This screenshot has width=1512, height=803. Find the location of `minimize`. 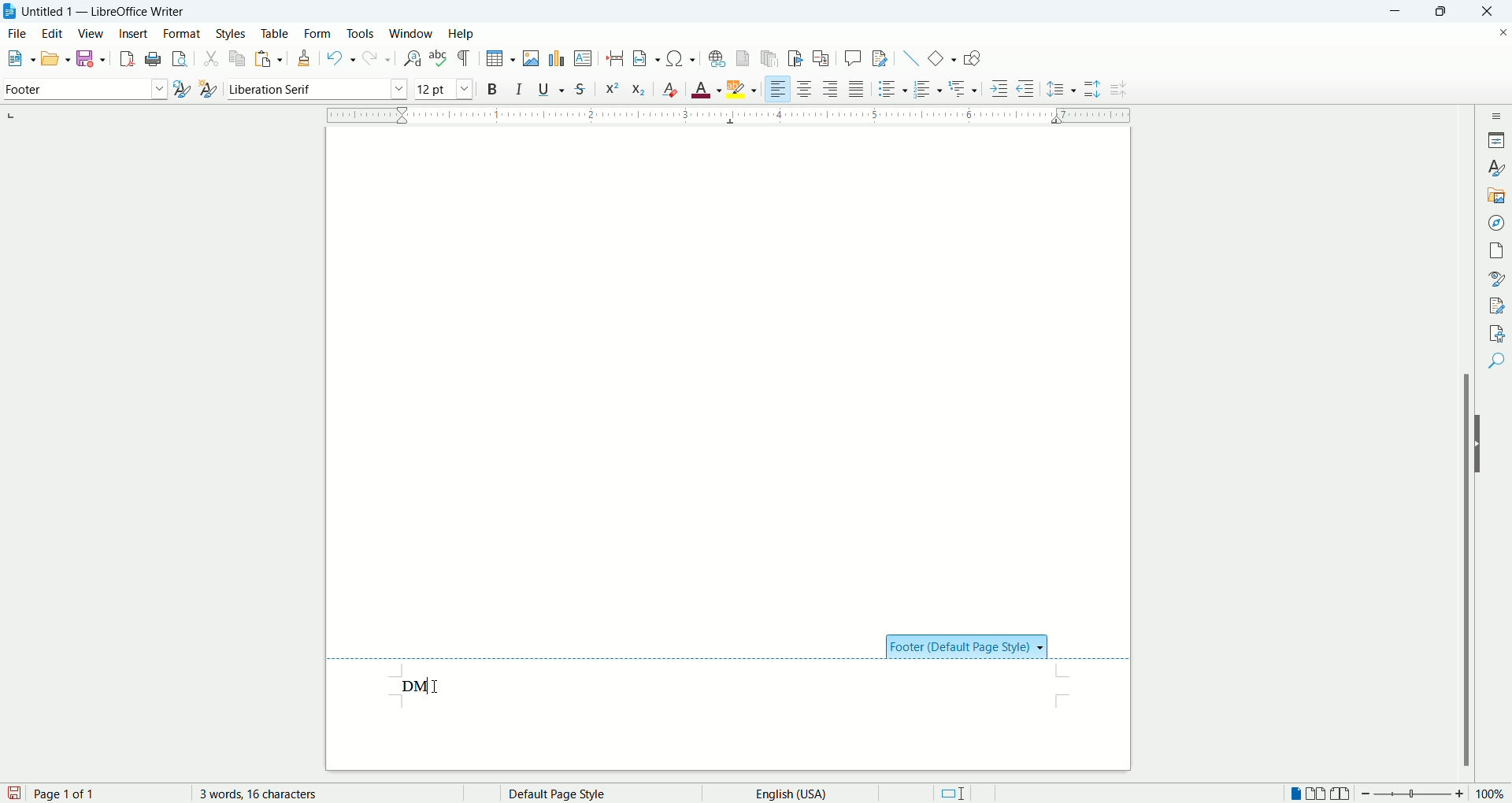

minimize is located at coordinates (1400, 10).